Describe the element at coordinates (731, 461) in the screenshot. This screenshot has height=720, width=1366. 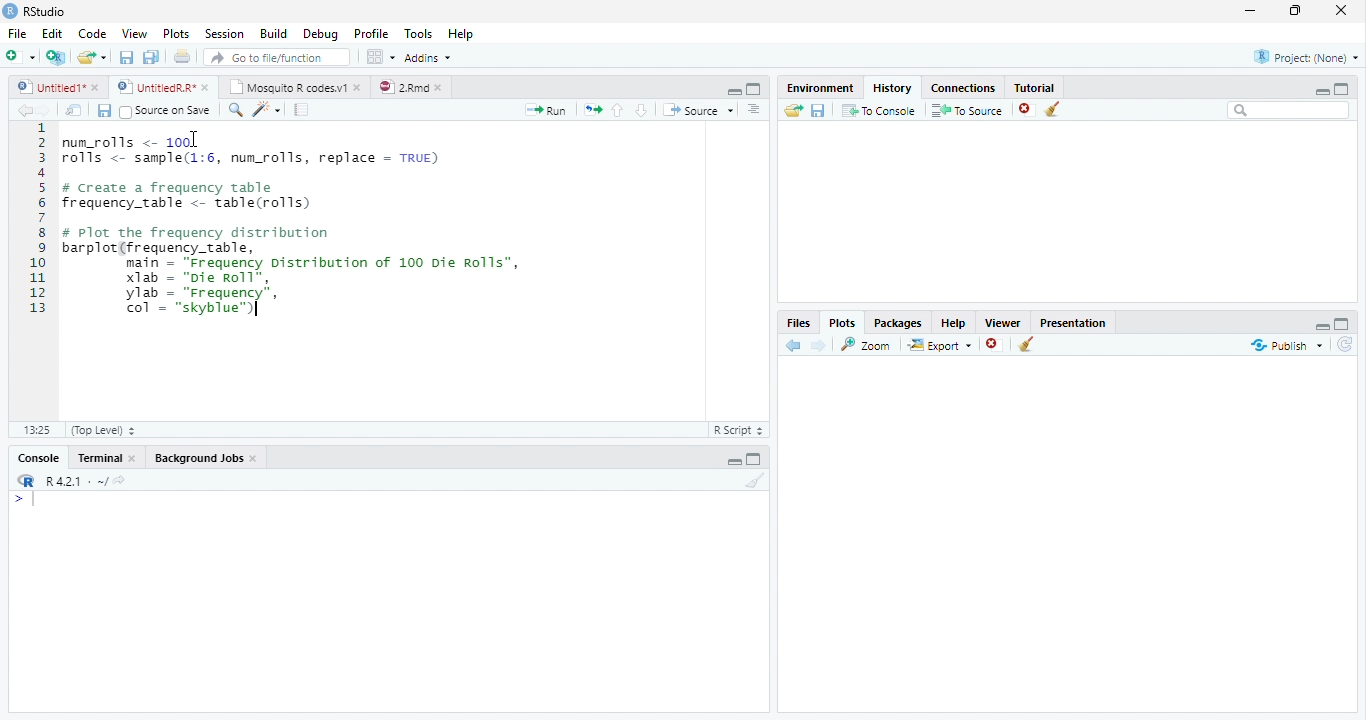
I see `Hide` at that location.